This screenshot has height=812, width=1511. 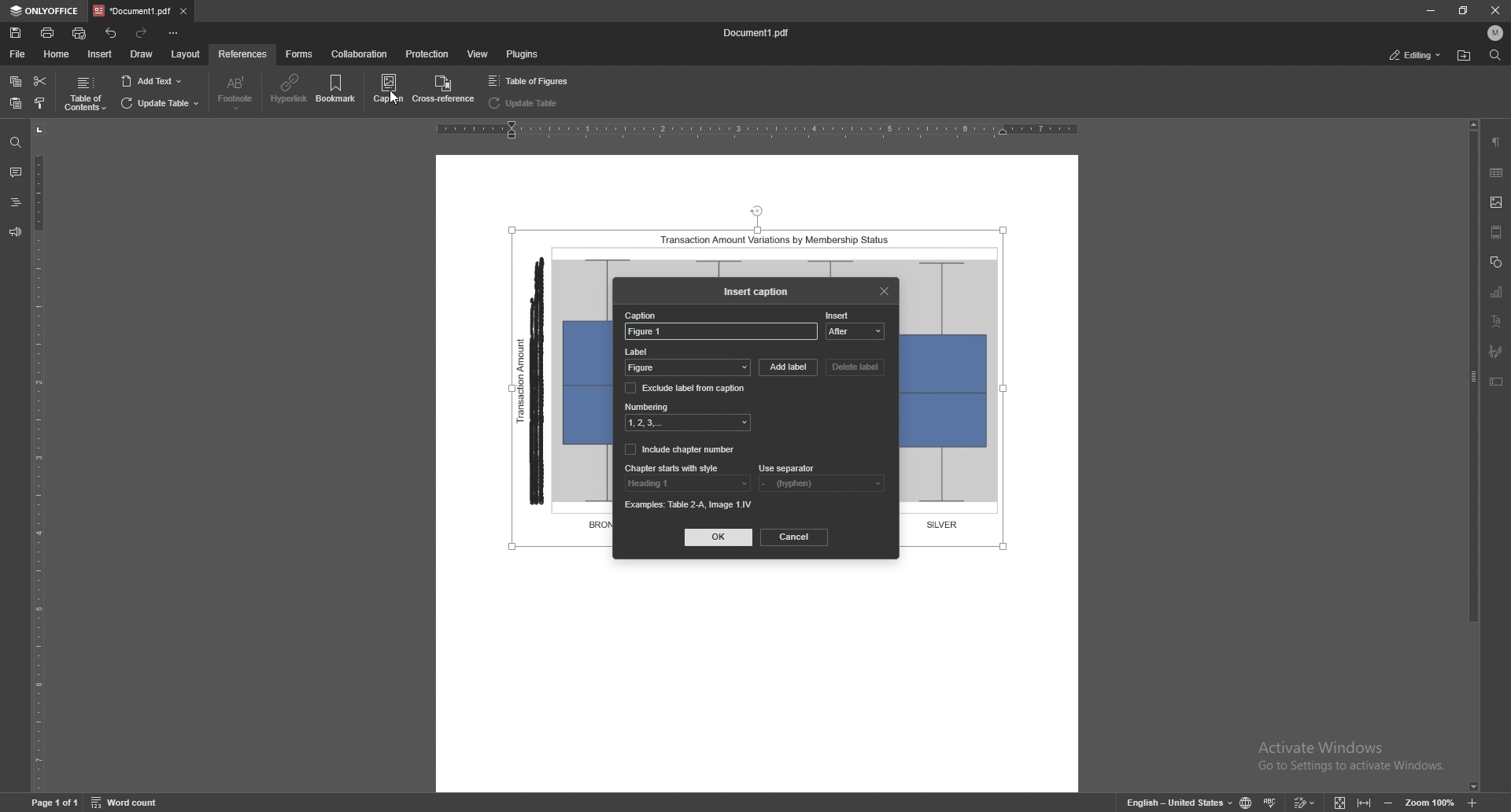 I want to click on chapter starts with style, so click(x=674, y=467).